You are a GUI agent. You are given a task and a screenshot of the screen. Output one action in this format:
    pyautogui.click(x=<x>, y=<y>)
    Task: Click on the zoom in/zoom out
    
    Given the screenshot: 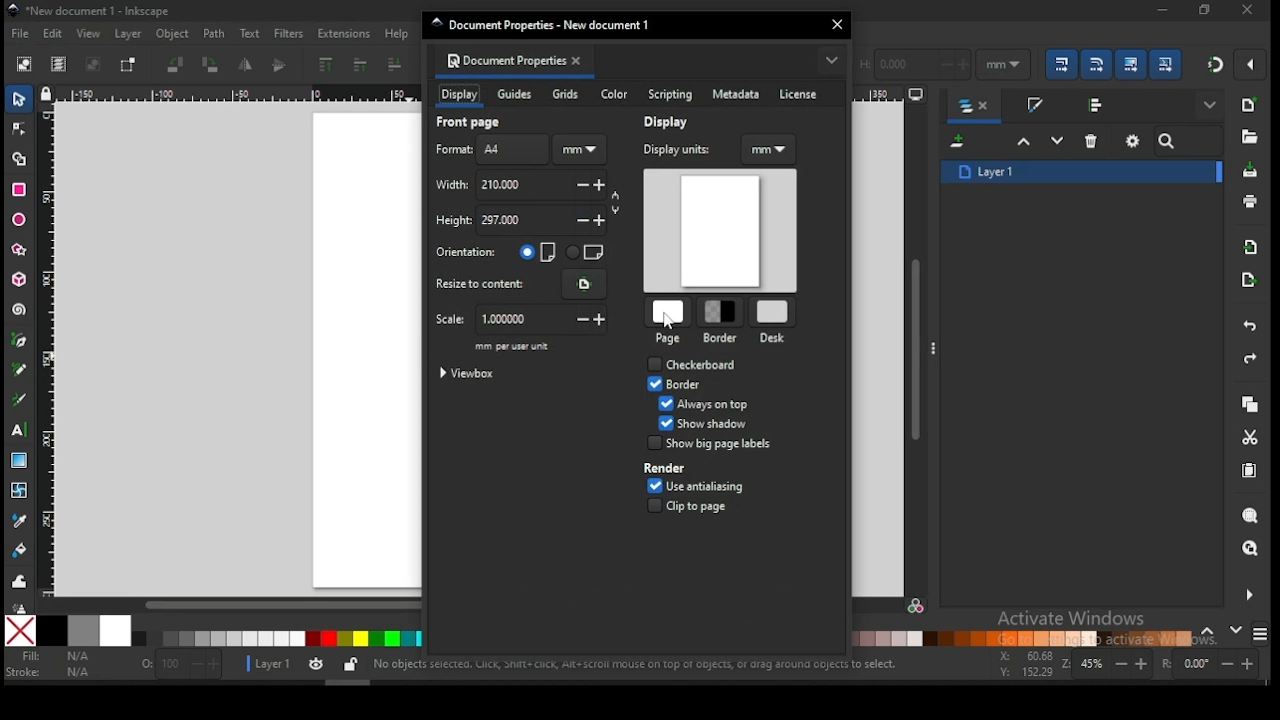 What is the action you would take?
    pyautogui.click(x=1108, y=664)
    